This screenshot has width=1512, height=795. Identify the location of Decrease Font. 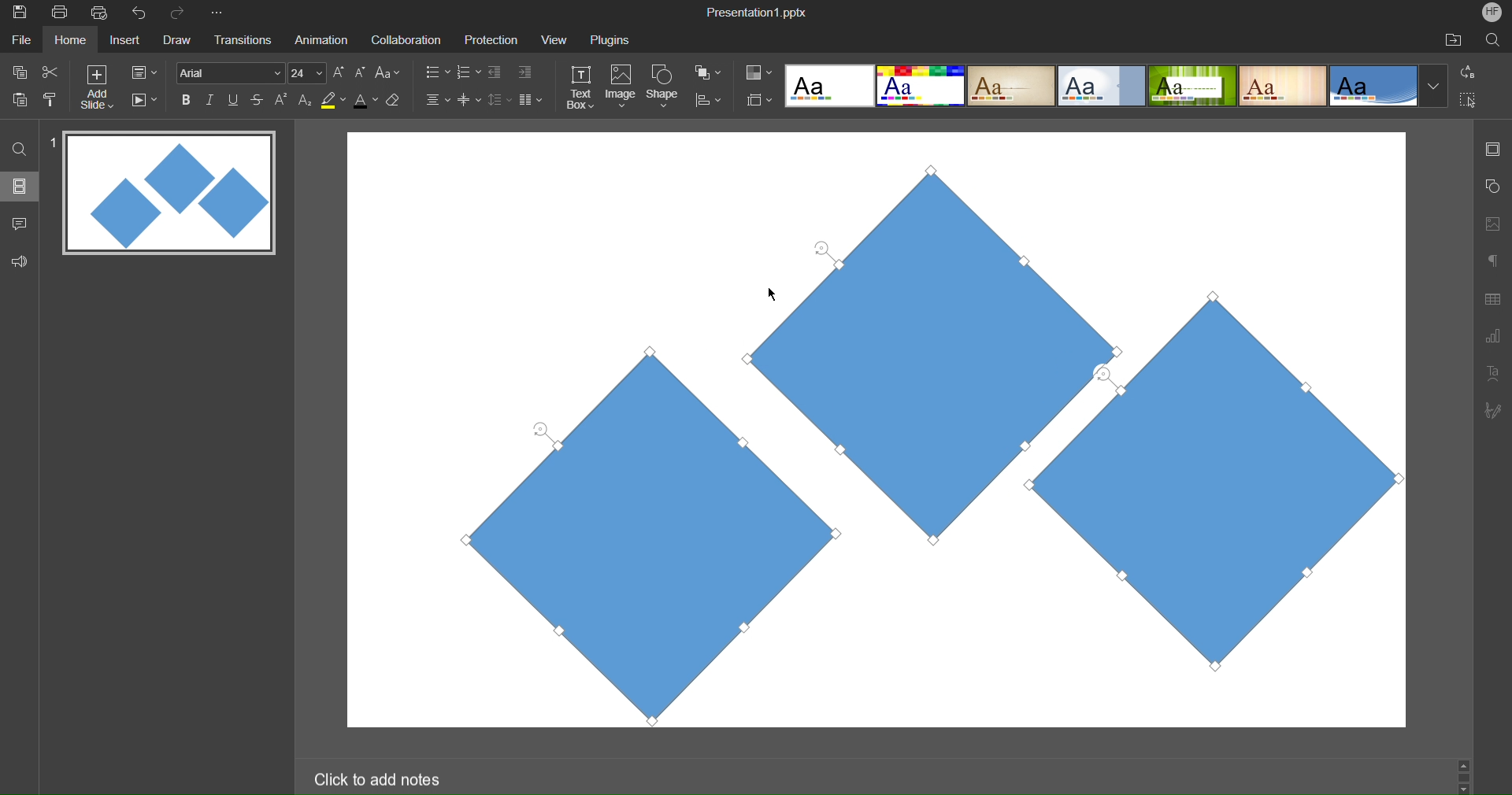
(361, 72).